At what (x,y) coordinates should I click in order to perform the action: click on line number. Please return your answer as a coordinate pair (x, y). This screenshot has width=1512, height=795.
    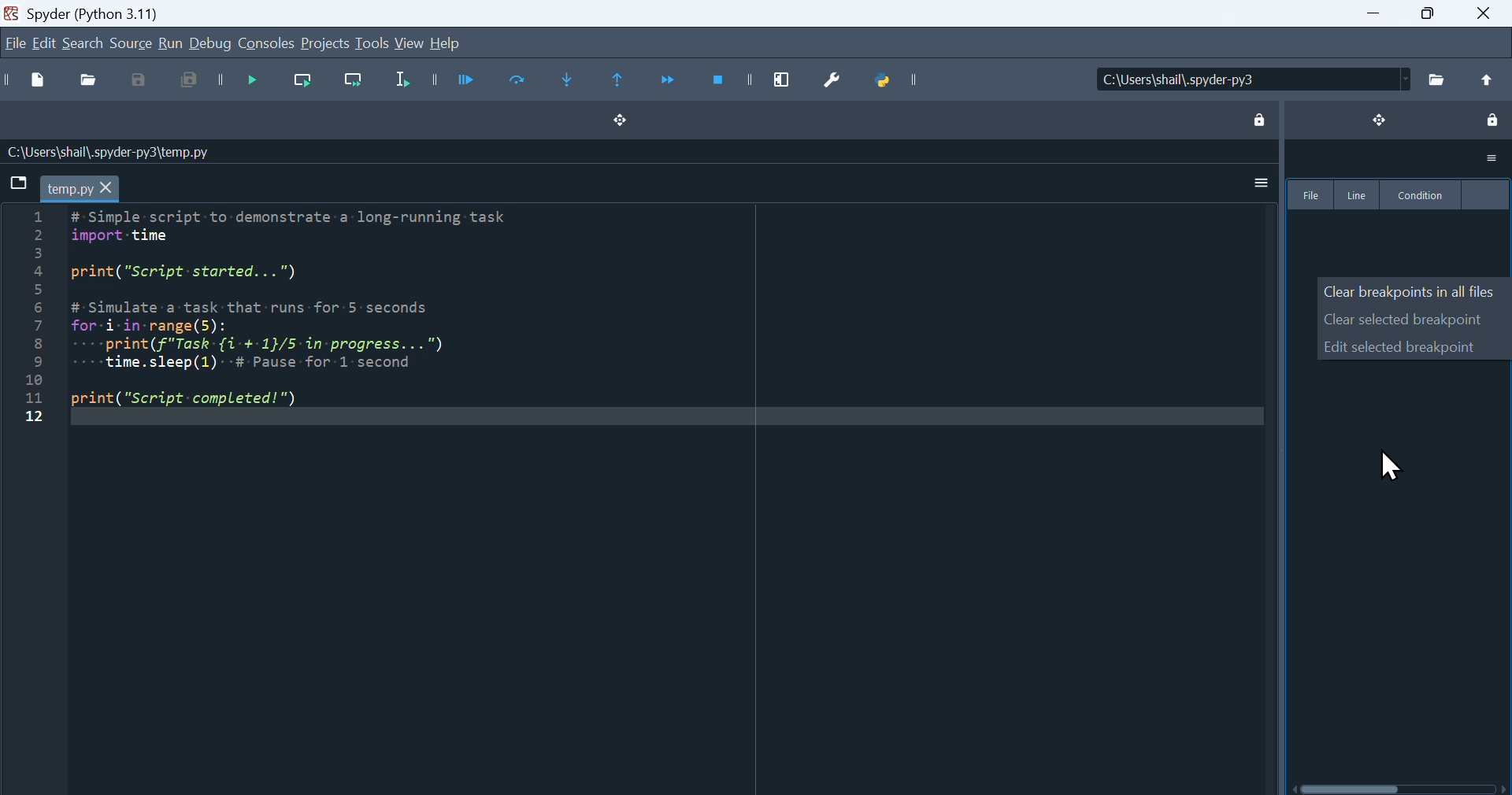
    Looking at the image, I should click on (31, 314).